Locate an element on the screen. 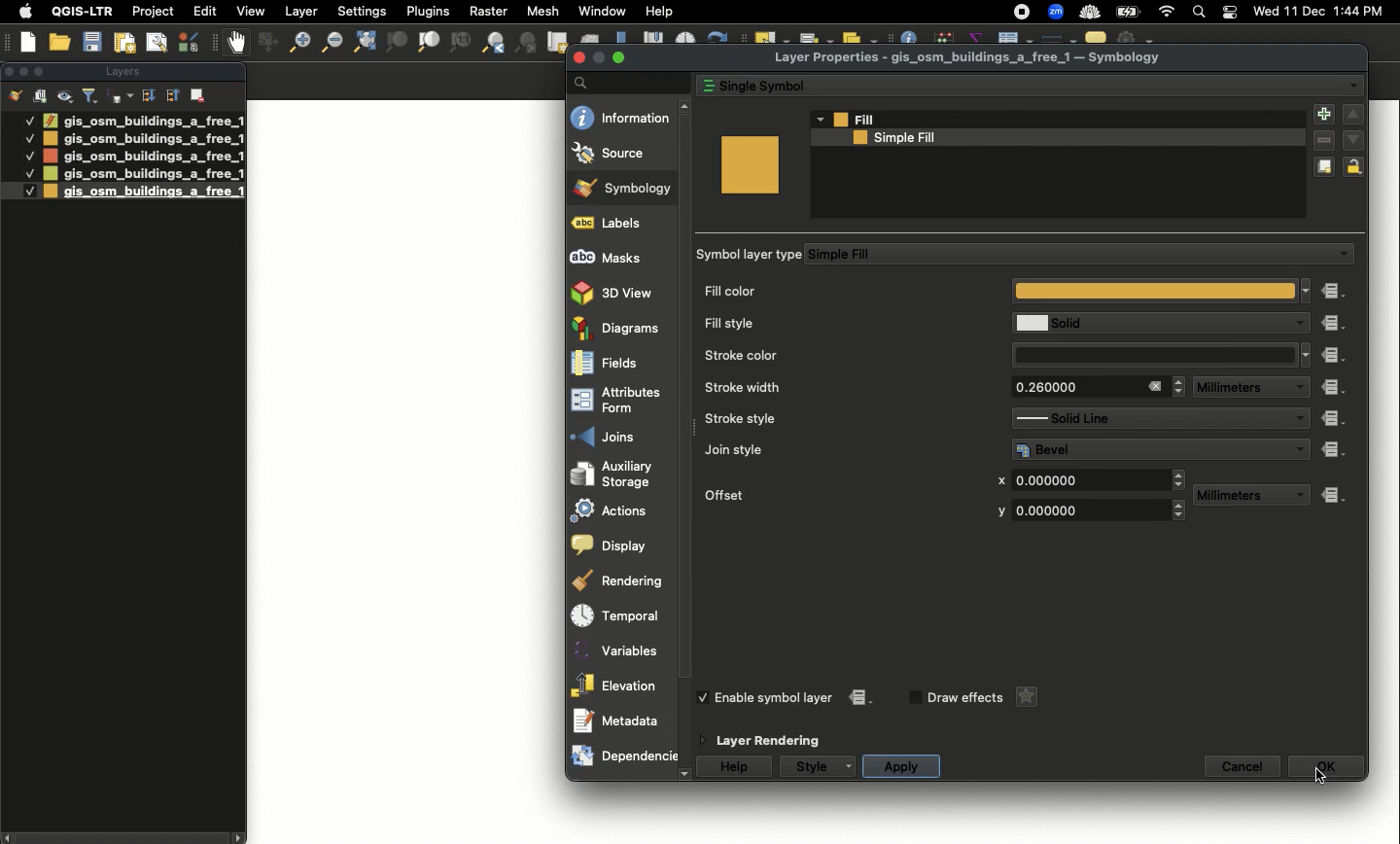 Image resolution: width=1400 pixels, height=844 pixels. Sort ascending is located at coordinates (171, 94).